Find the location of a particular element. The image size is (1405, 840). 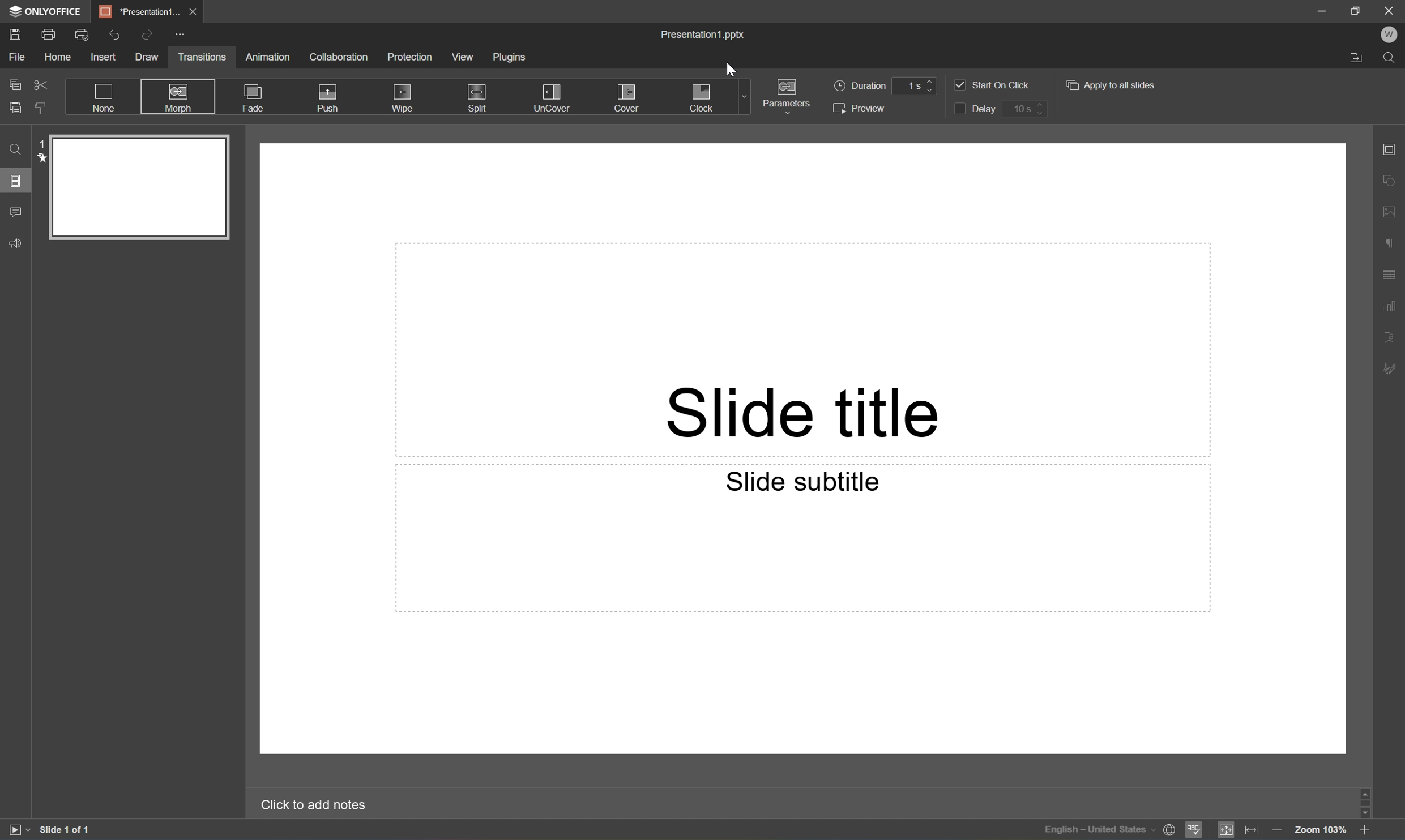

Cover is located at coordinates (625, 98).